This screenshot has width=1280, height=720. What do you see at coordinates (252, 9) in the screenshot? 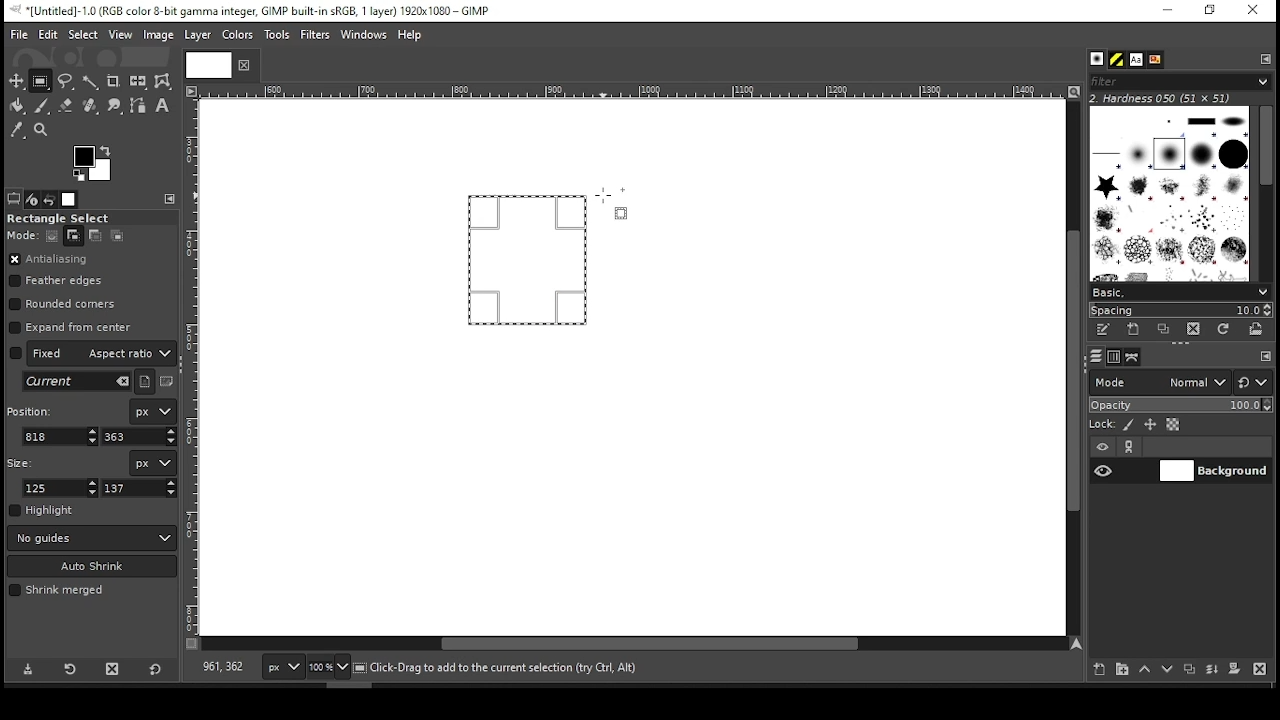
I see `icon and filename` at bounding box center [252, 9].